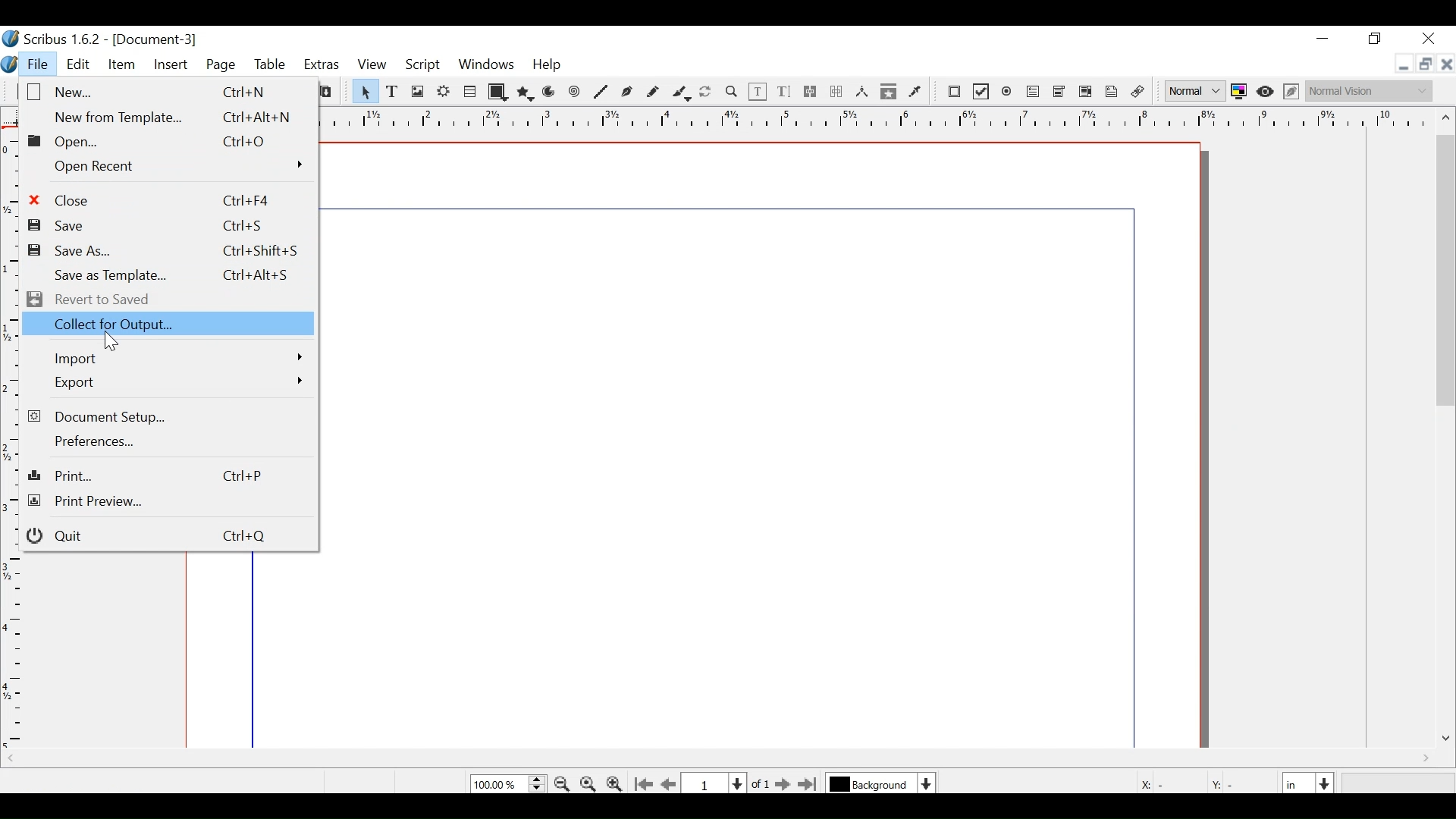  Describe the element at coordinates (548, 67) in the screenshot. I see `Help` at that location.